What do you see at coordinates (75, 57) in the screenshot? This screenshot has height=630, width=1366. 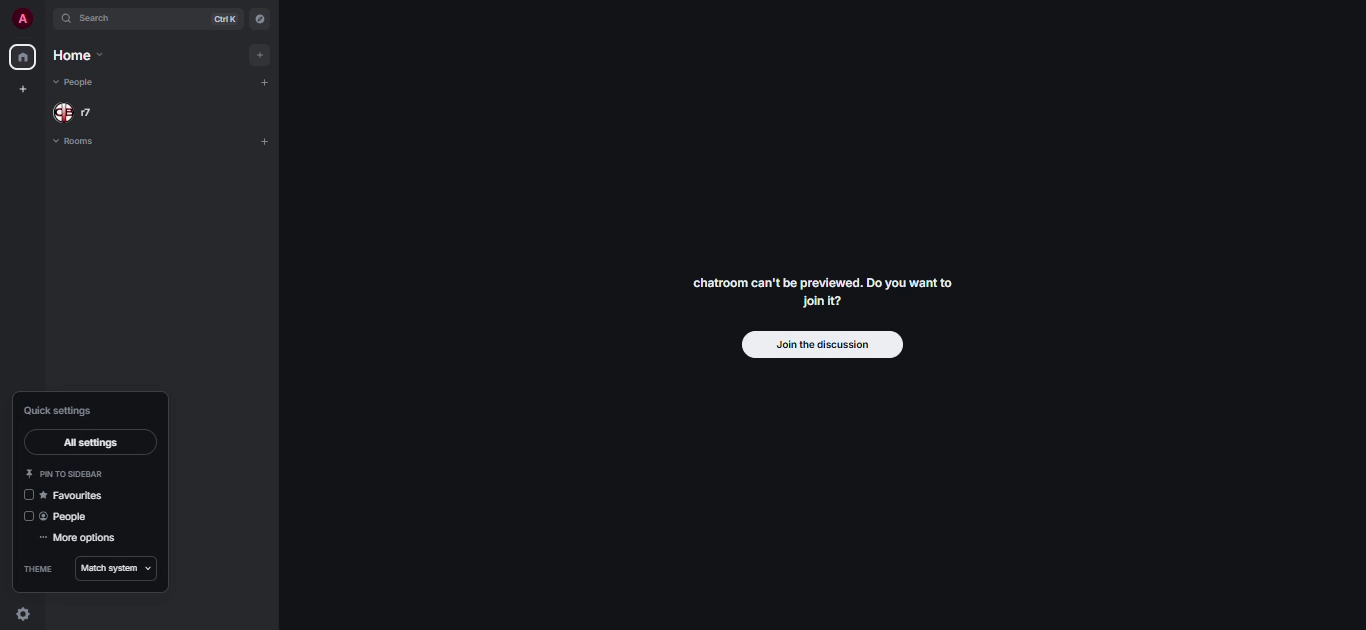 I see `home` at bounding box center [75, 57].